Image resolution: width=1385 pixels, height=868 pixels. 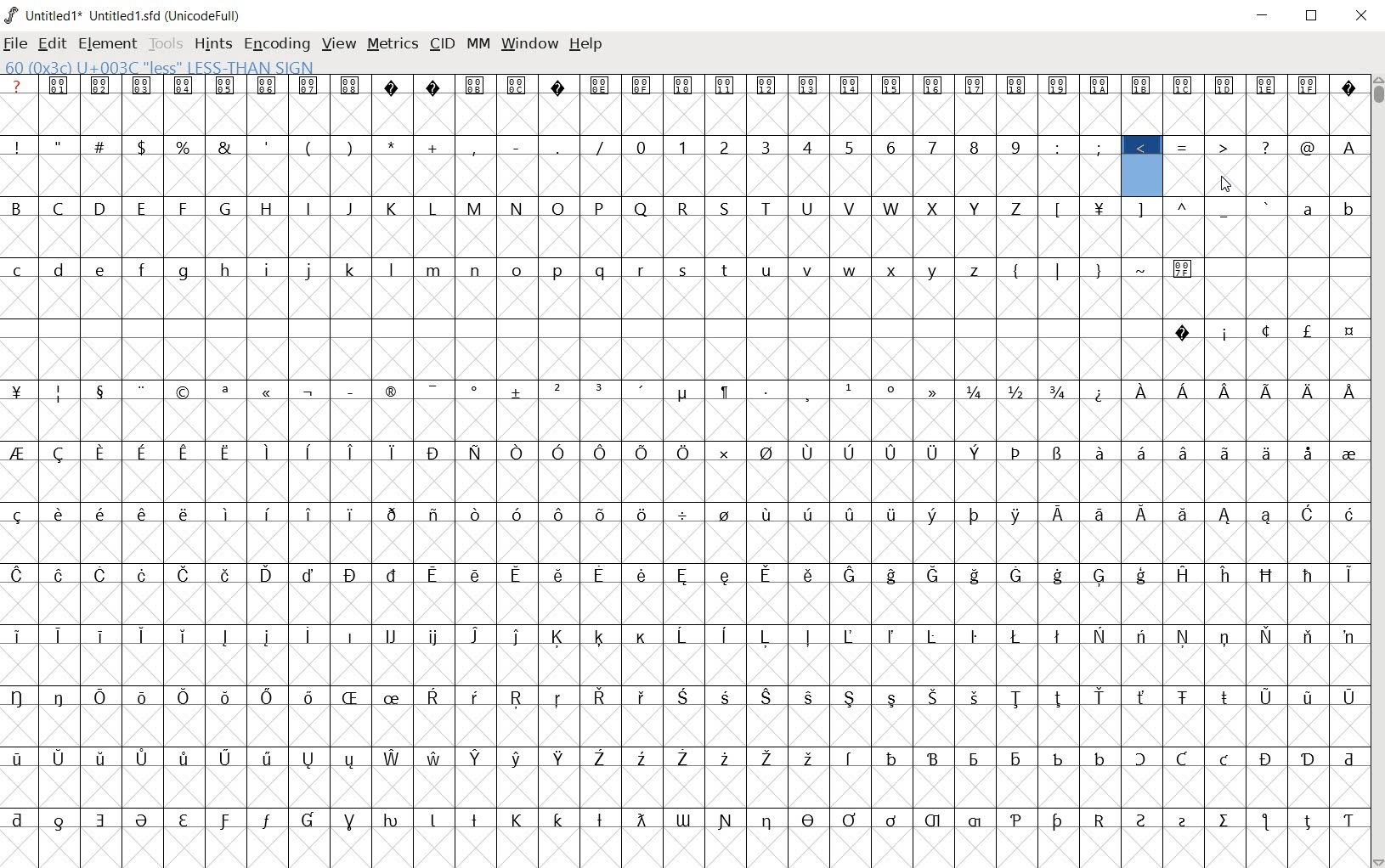 What do you see at coordinates (529, 45) in the screenshot?
I see `window` at bounding box center [529, 45].